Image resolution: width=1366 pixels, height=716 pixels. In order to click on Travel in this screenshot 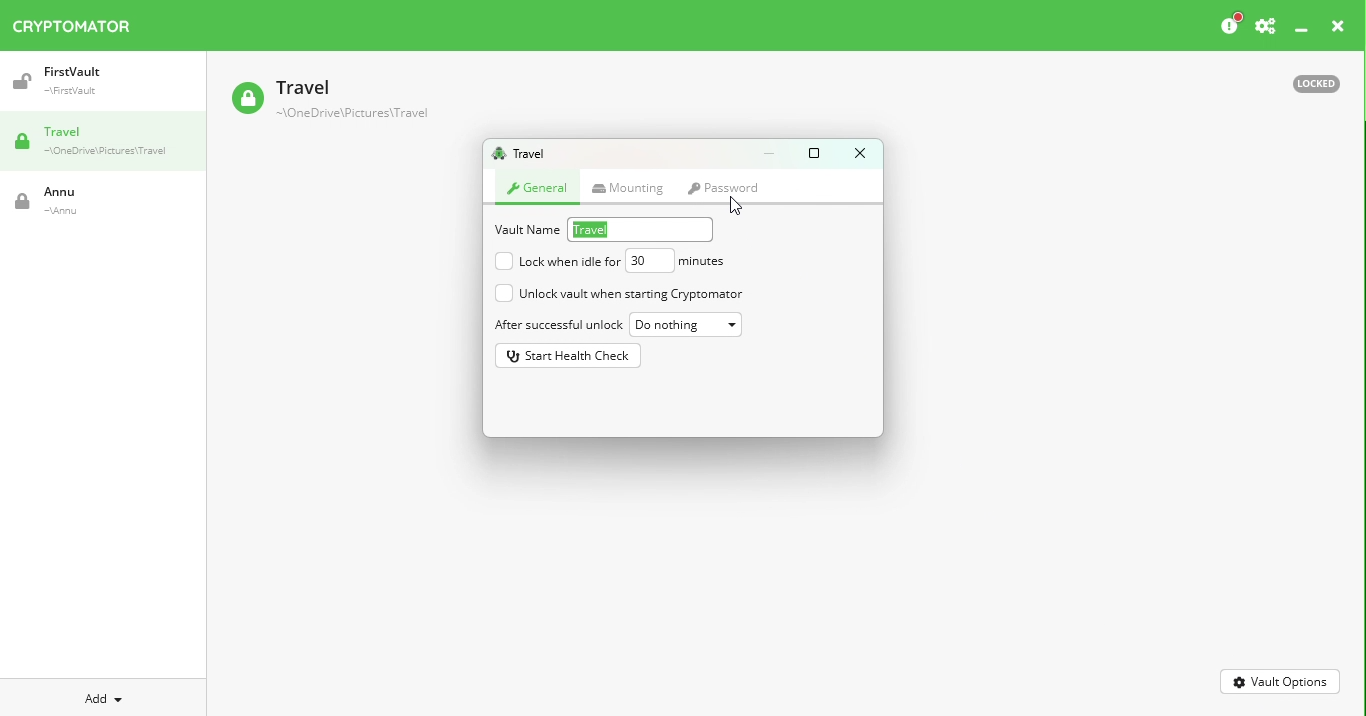, I will do `click(518, 154)`.